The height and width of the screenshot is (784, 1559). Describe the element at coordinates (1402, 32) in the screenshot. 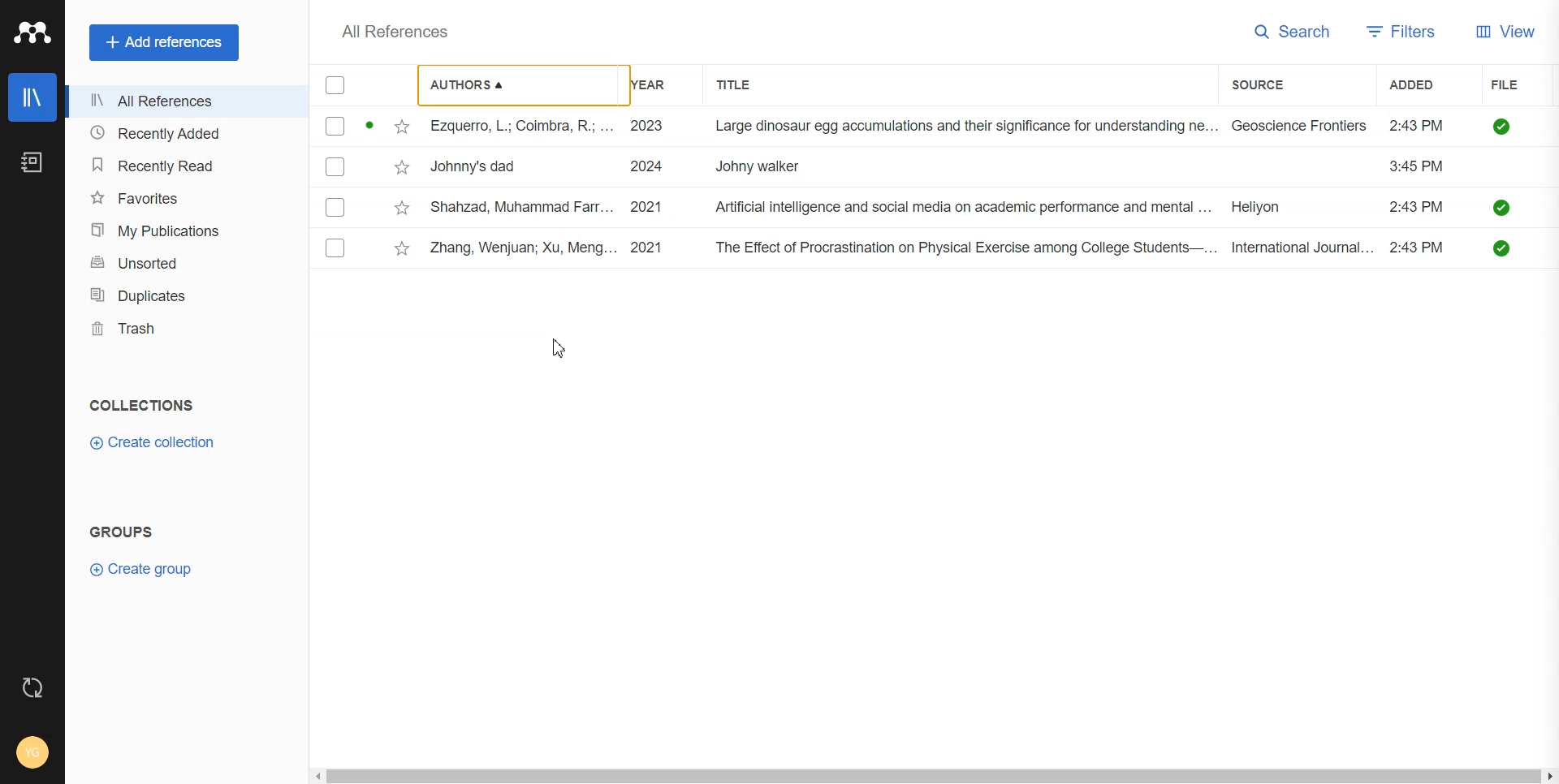

I see `Filters` at that location.